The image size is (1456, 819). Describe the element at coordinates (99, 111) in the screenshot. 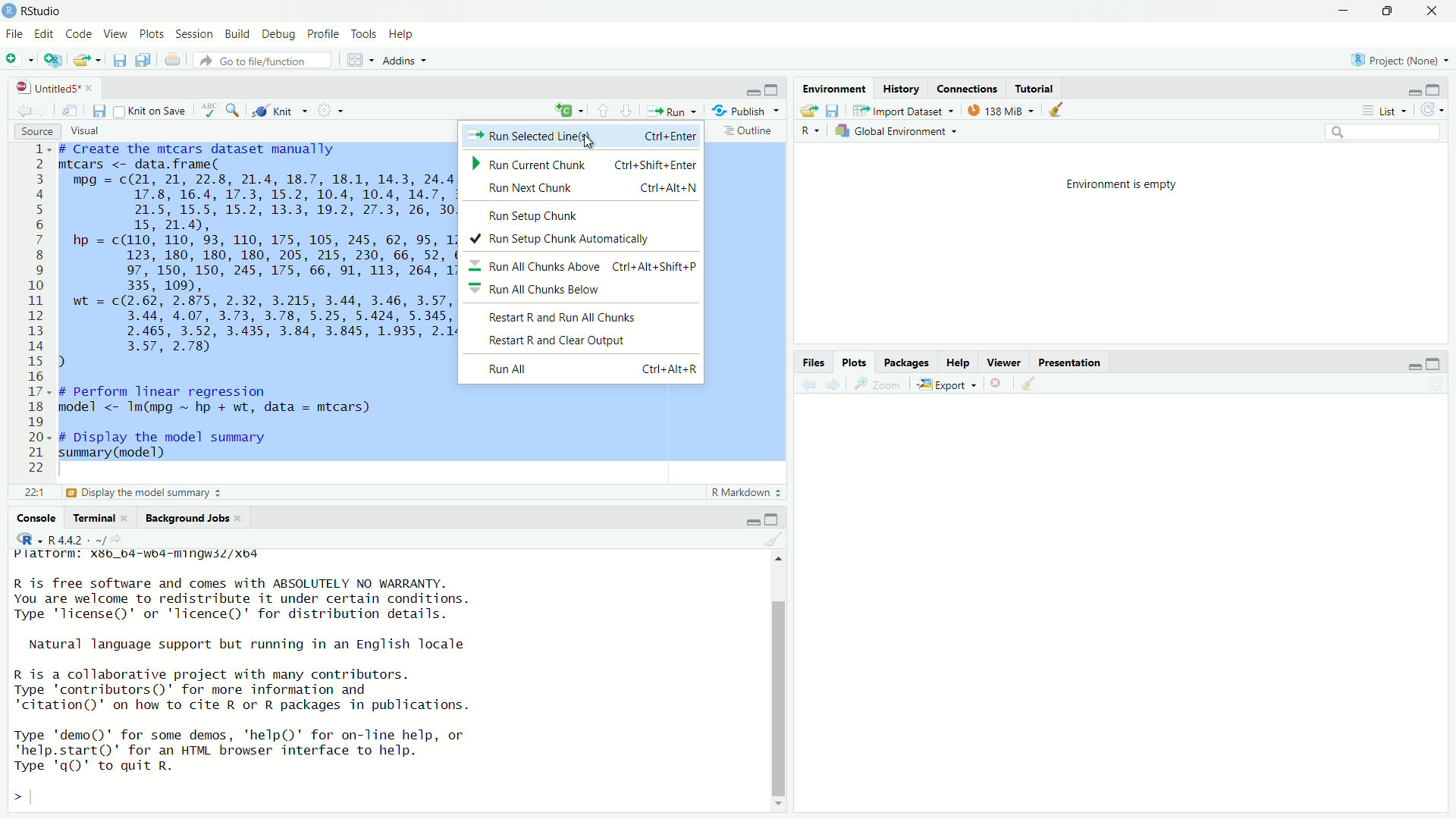

I see `save` at that location.